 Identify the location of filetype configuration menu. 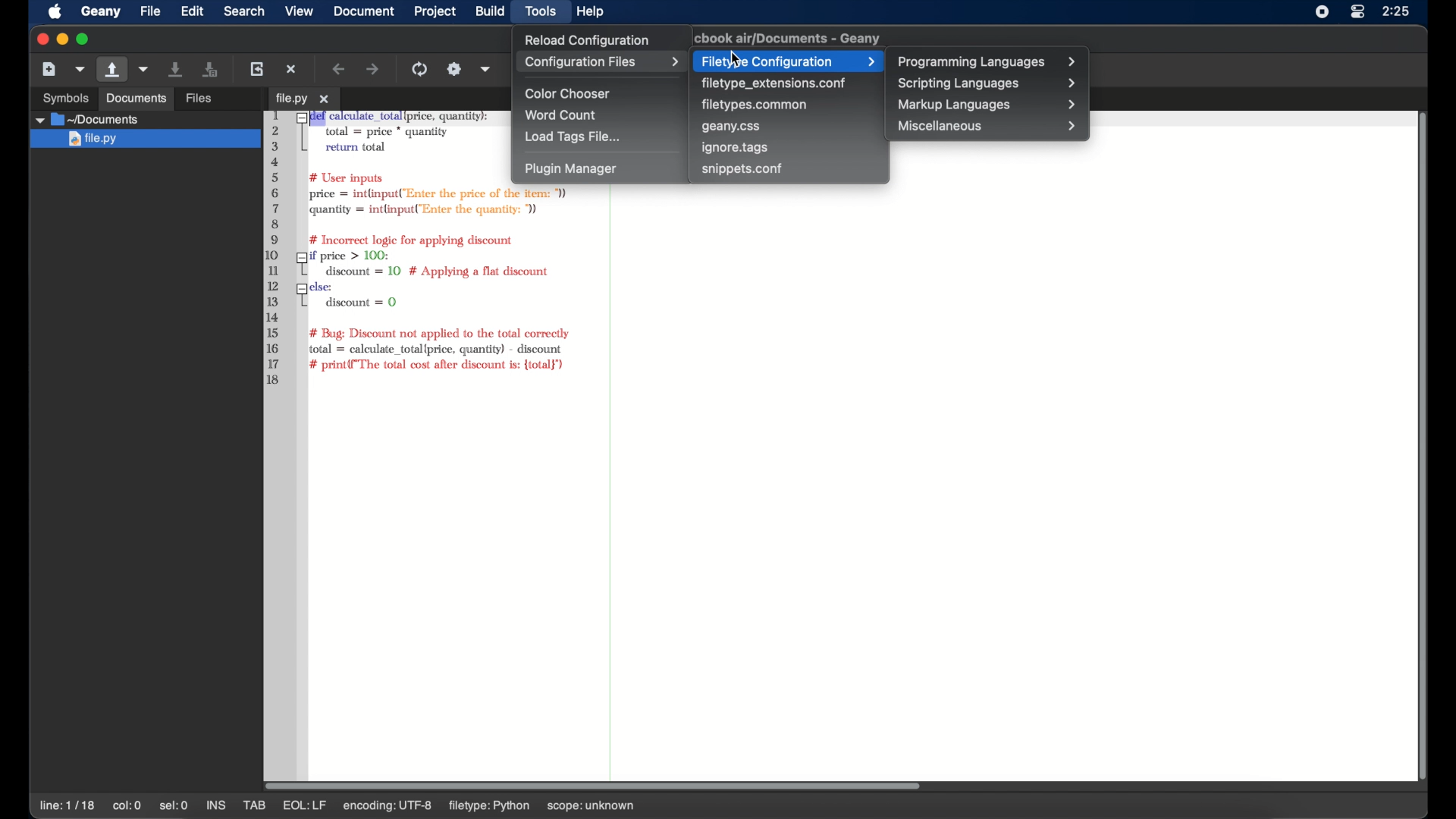
(787, 61).